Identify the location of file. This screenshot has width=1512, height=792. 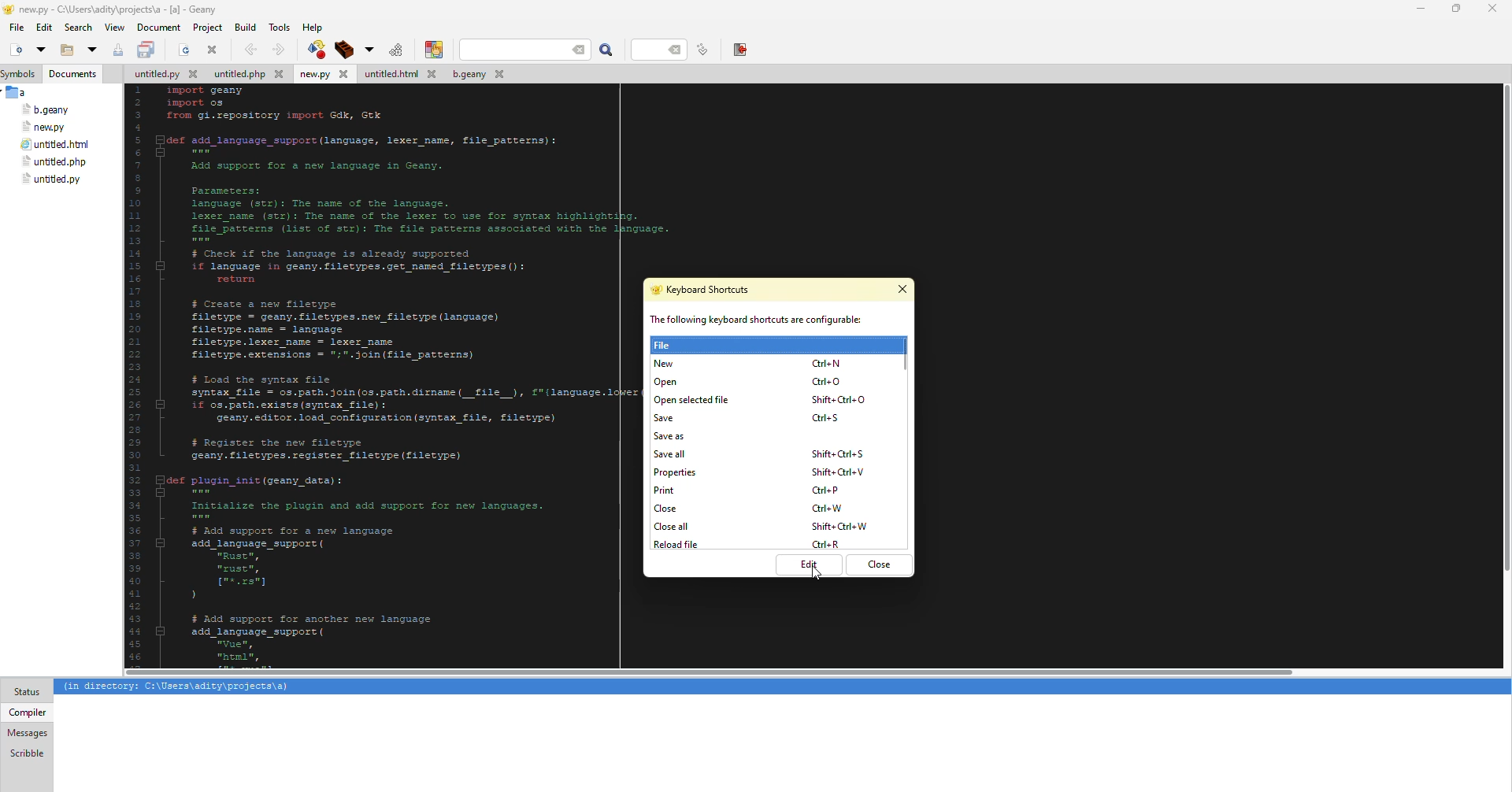
(323, 75).